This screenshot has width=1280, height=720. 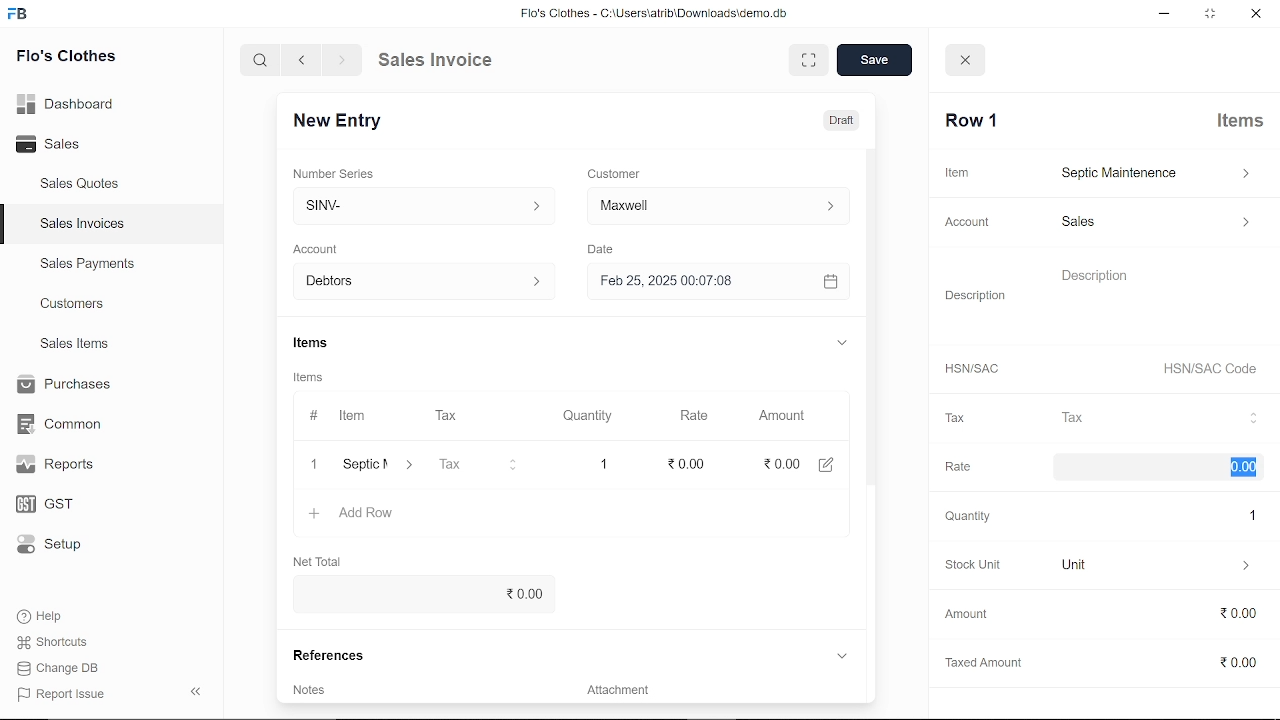 What do you see at coordinates (829, 281) in the screenshot?
I see `open calender` at bounding box center [829, 281].